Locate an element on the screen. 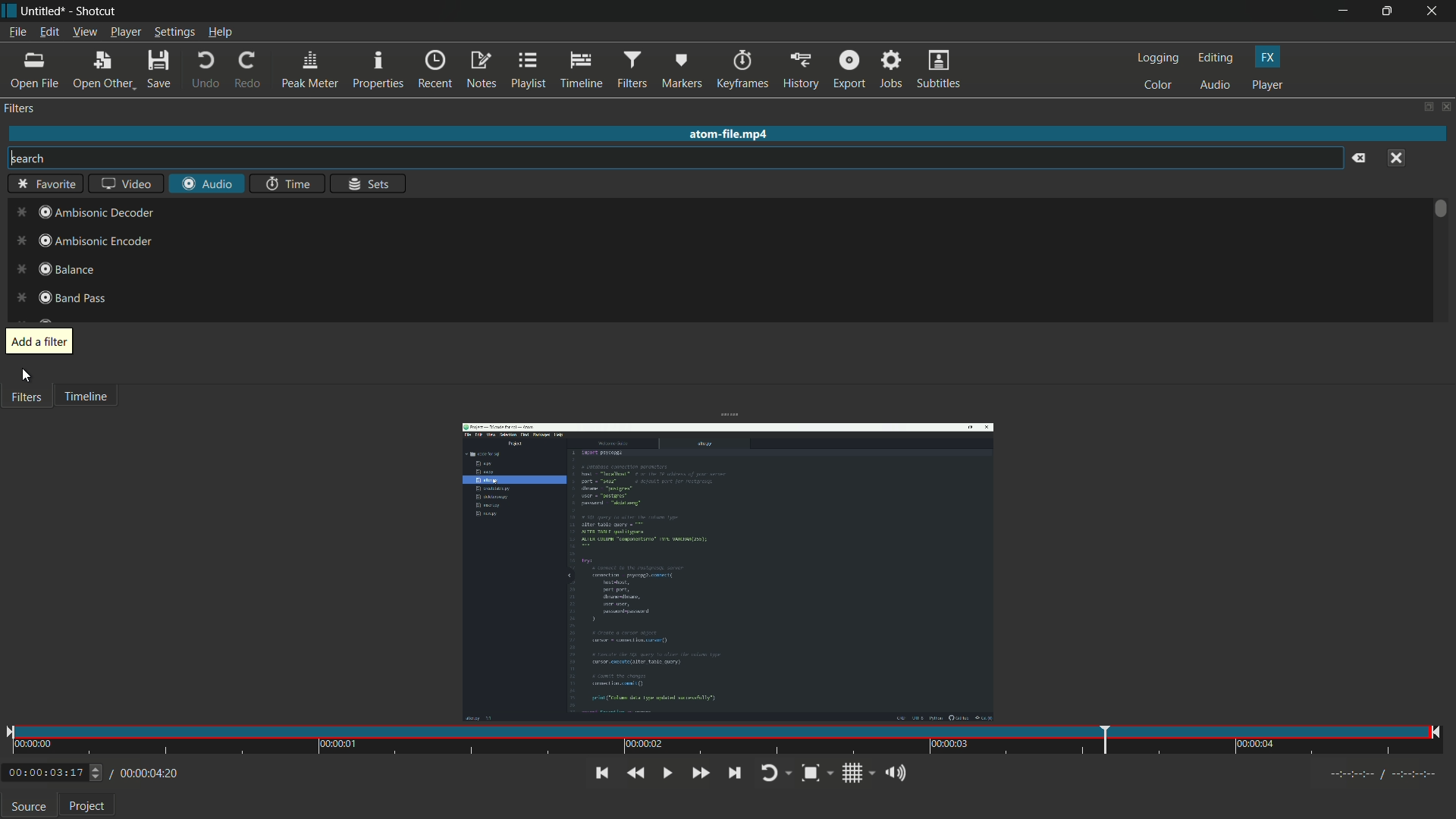  help menu is located at coordinates (220, 32).